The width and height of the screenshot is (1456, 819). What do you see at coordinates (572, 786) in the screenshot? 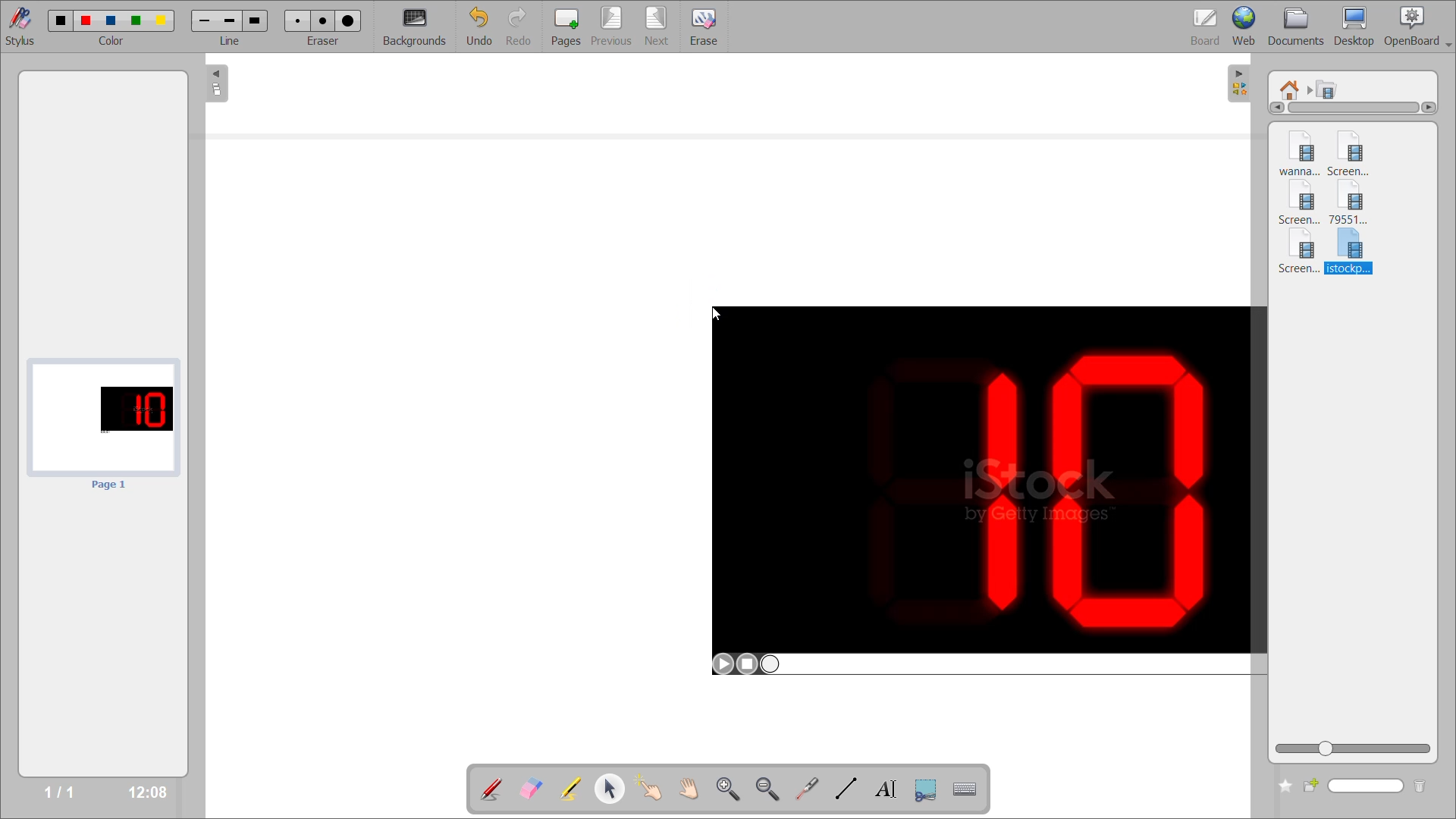
I see `highlight` at bounding box center [572, 786].